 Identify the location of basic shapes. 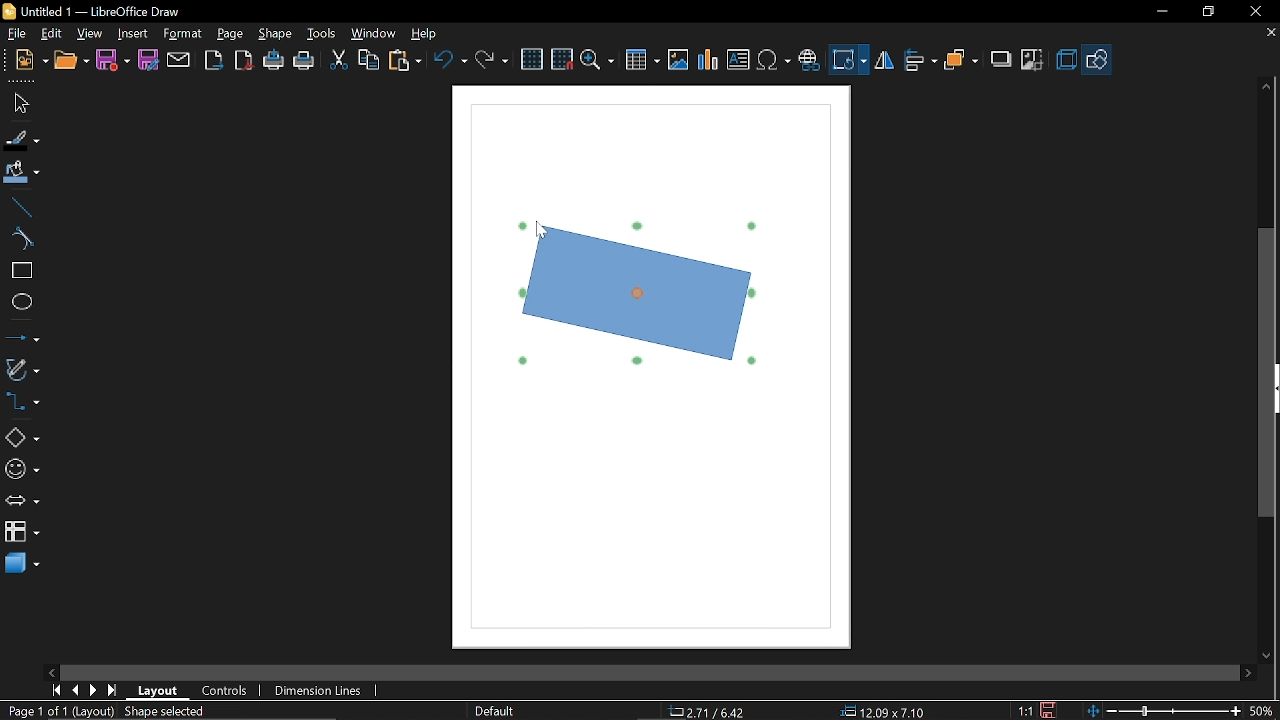
(22, 438).